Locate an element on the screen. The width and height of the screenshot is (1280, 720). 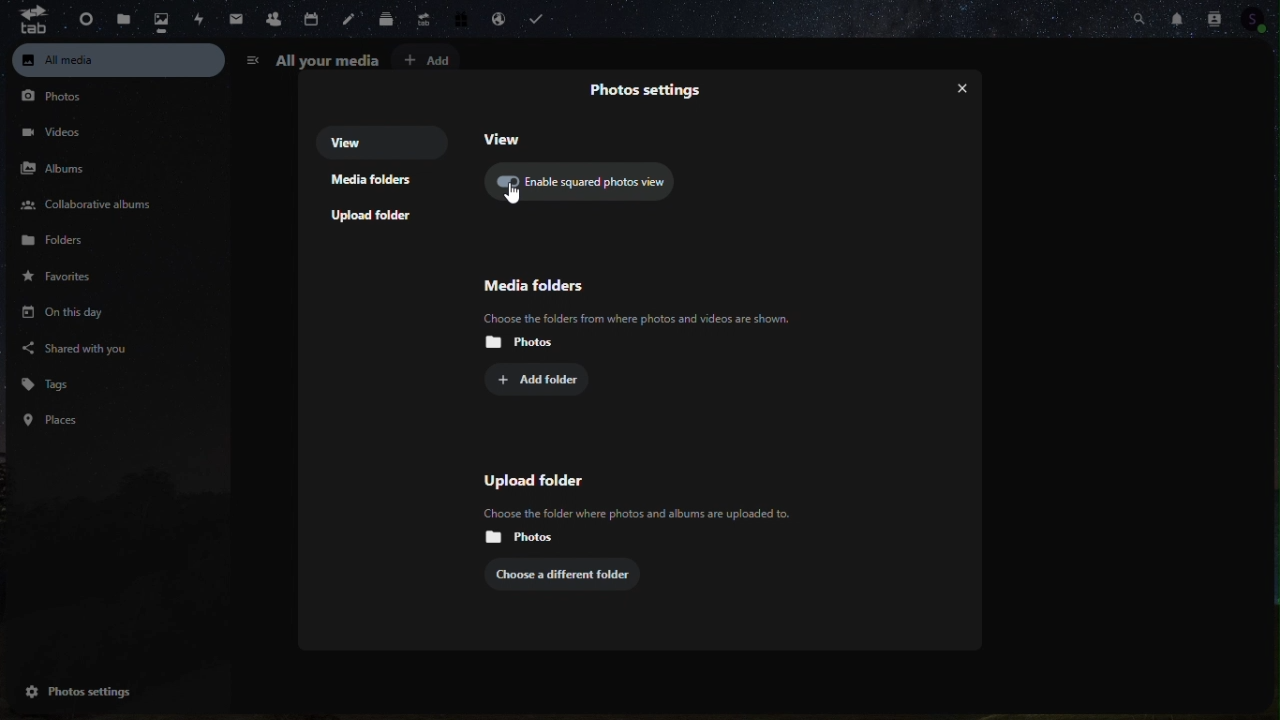
Mail is located at coordinates (233, 19).